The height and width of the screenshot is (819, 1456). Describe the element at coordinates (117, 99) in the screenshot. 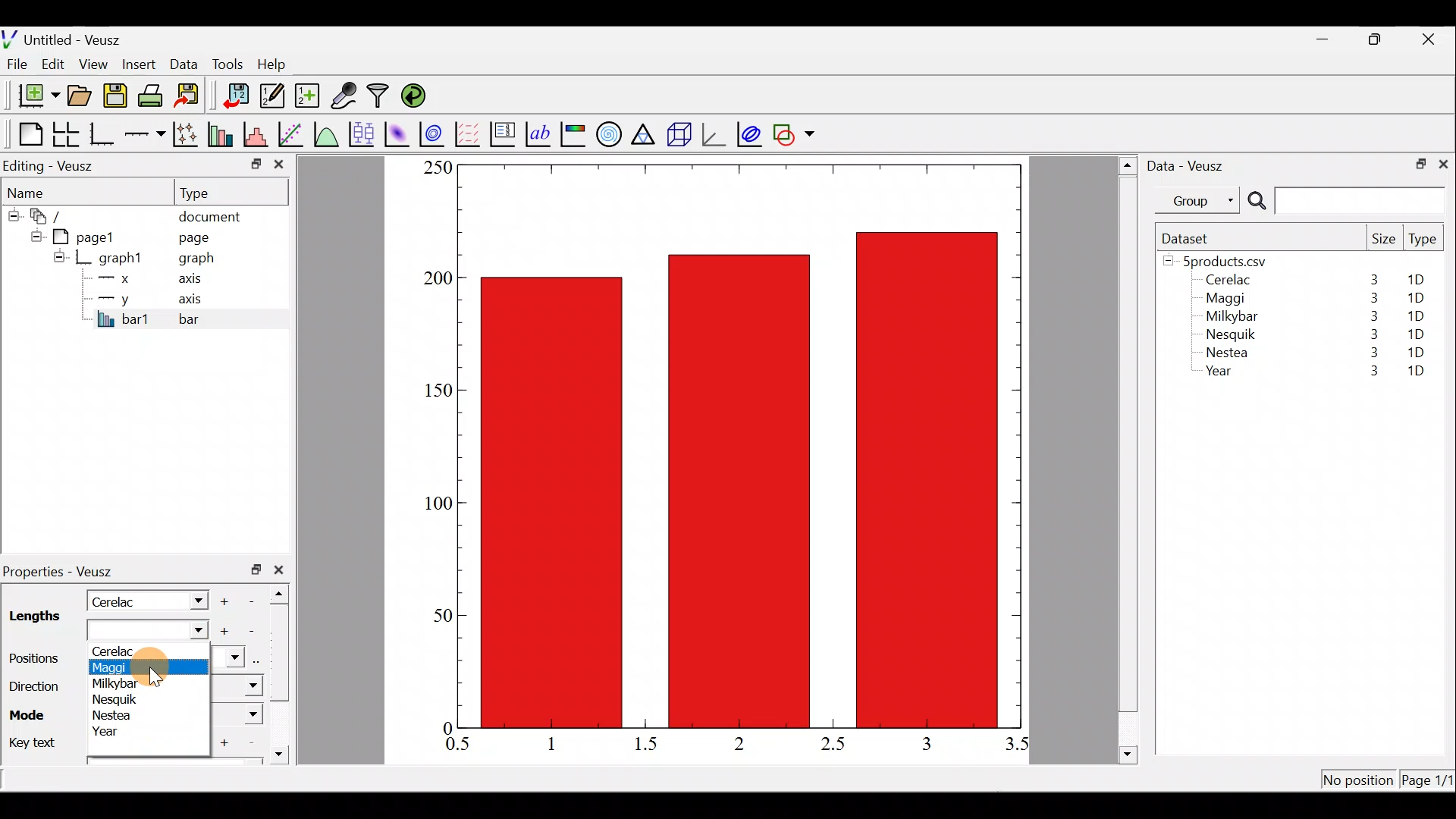

I see `Save the document` at that location.